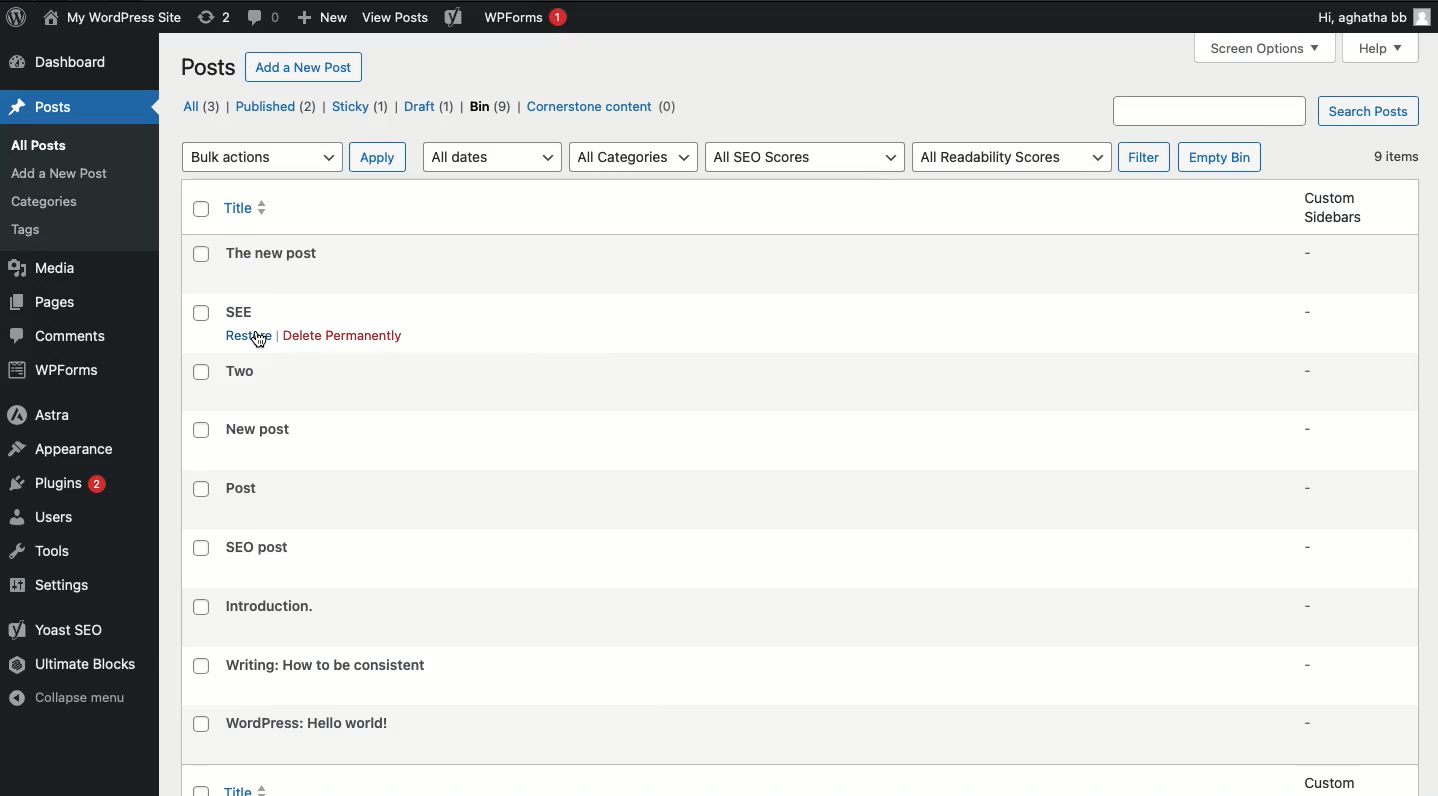  I want to click on All SEO scores, so click(807, 156).